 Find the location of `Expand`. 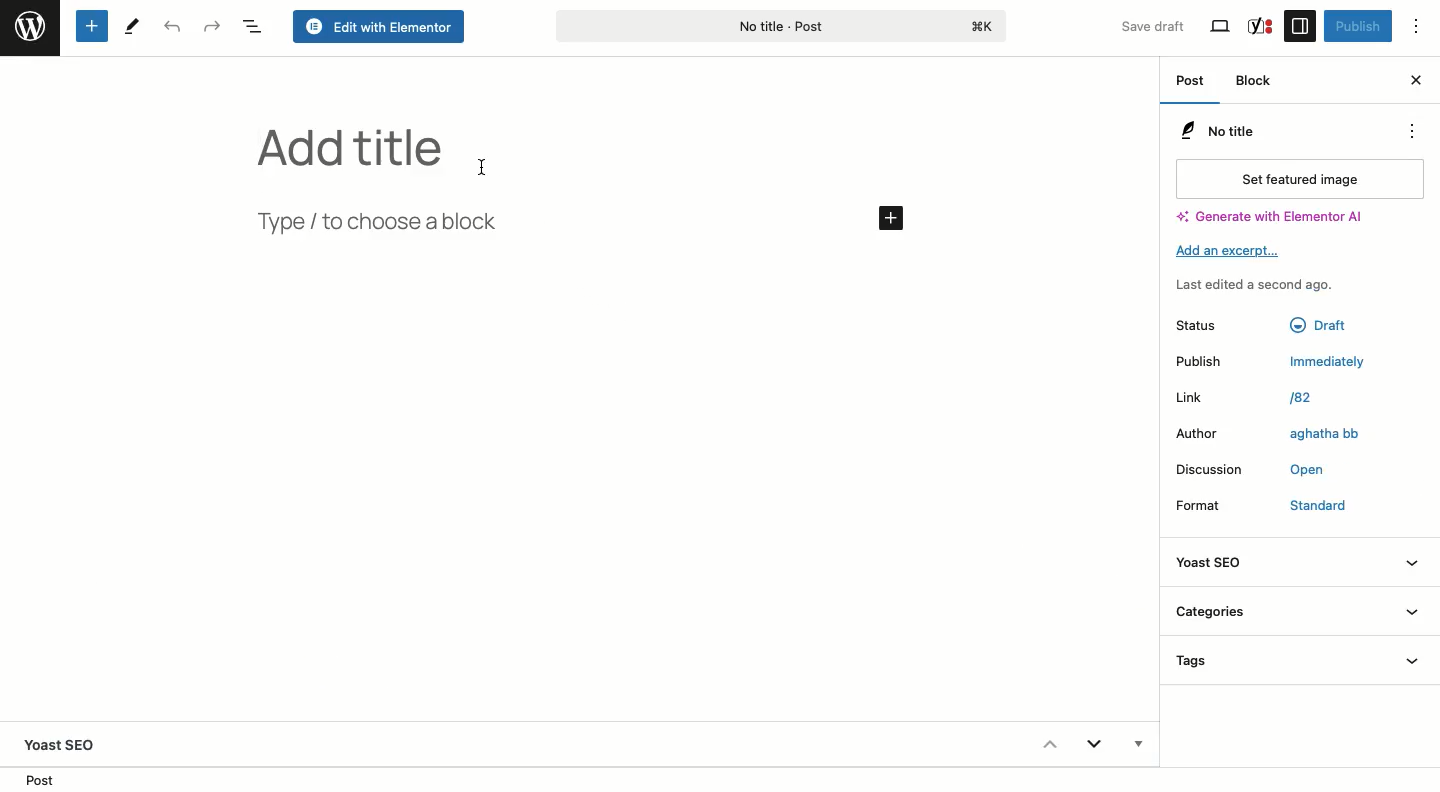

Expand is located at coordinates (1094, 747).